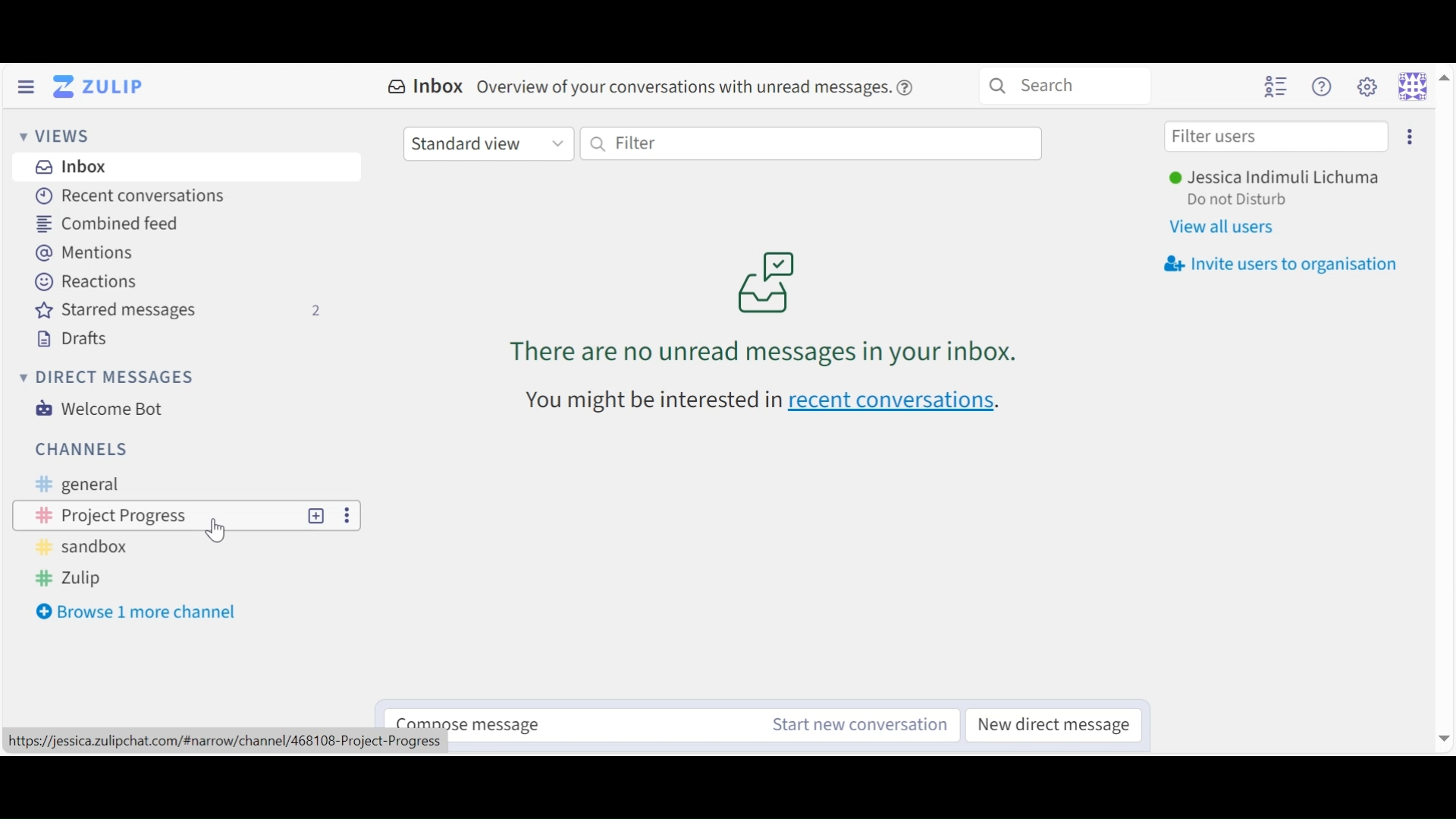  What do you see at coordinates (572, 722) in the screenshot?
I see `Compose message` at bounding box center [572, 722].